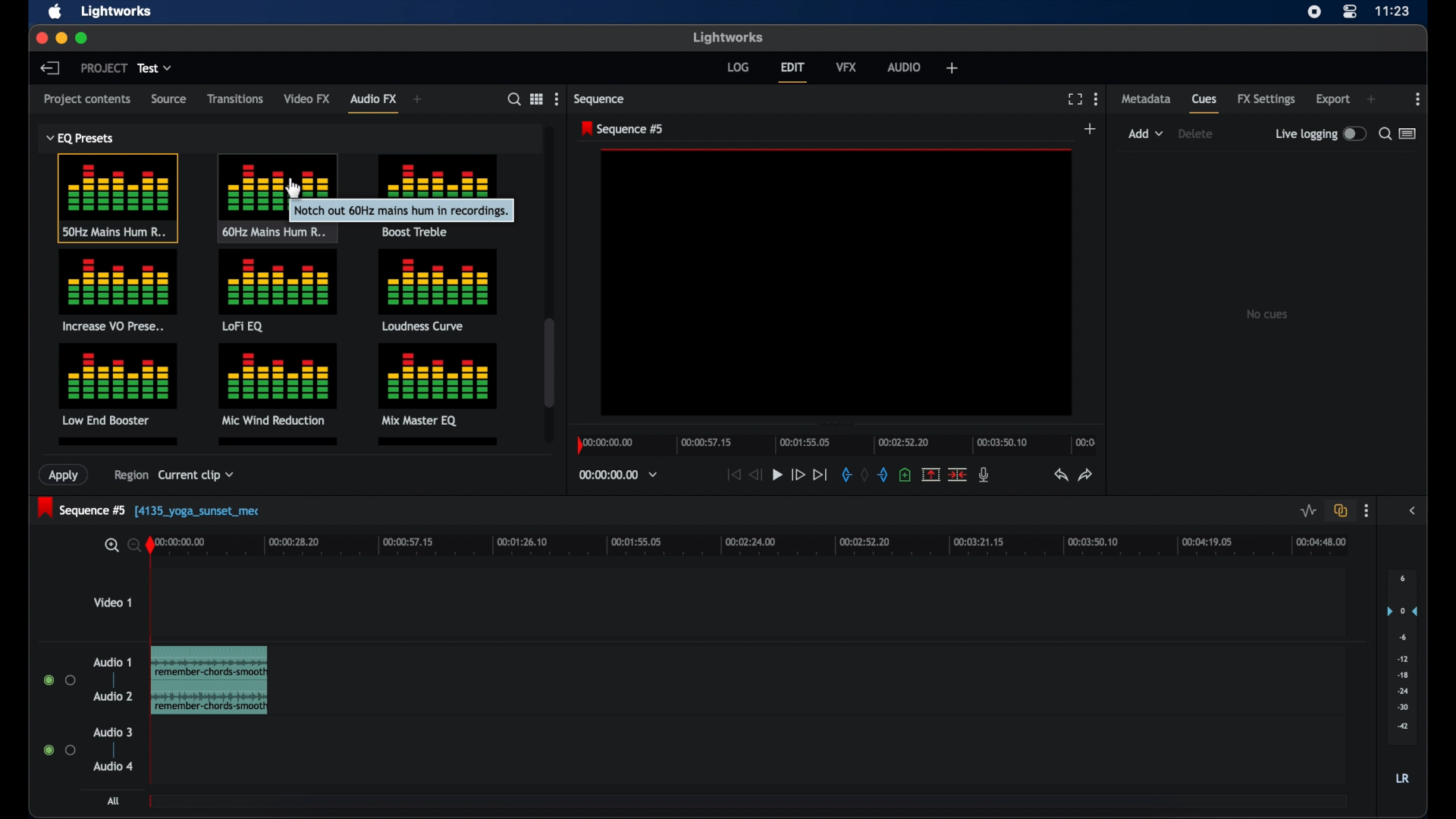 The image size is (1456, 819). I want to click on play, so click(777, 475).